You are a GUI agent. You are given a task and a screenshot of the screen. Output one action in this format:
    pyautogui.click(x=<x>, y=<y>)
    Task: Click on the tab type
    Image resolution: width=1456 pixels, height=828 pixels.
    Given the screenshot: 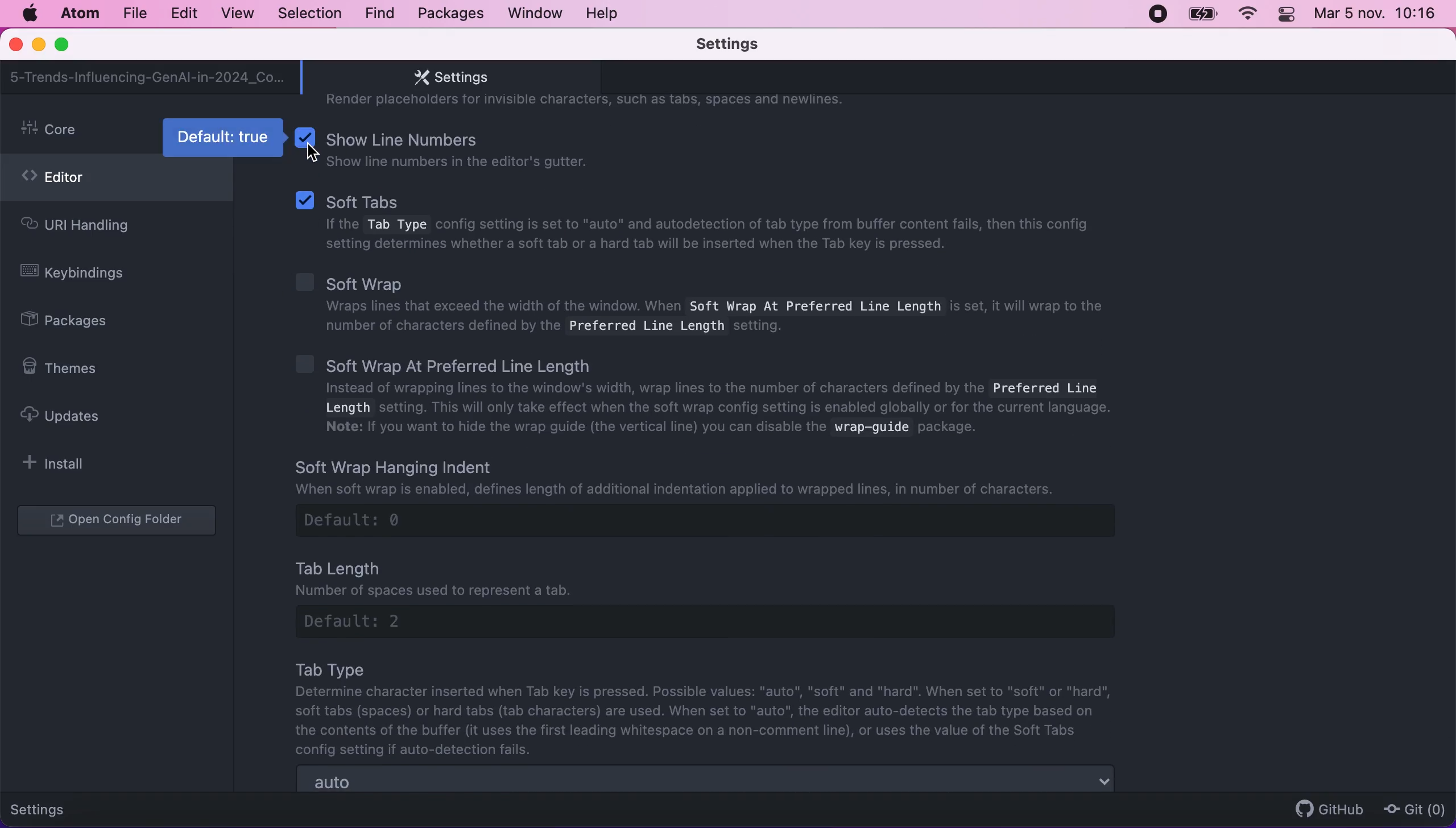 What is the action you would take?
    pyautogui.click(x=710, y=708)
    